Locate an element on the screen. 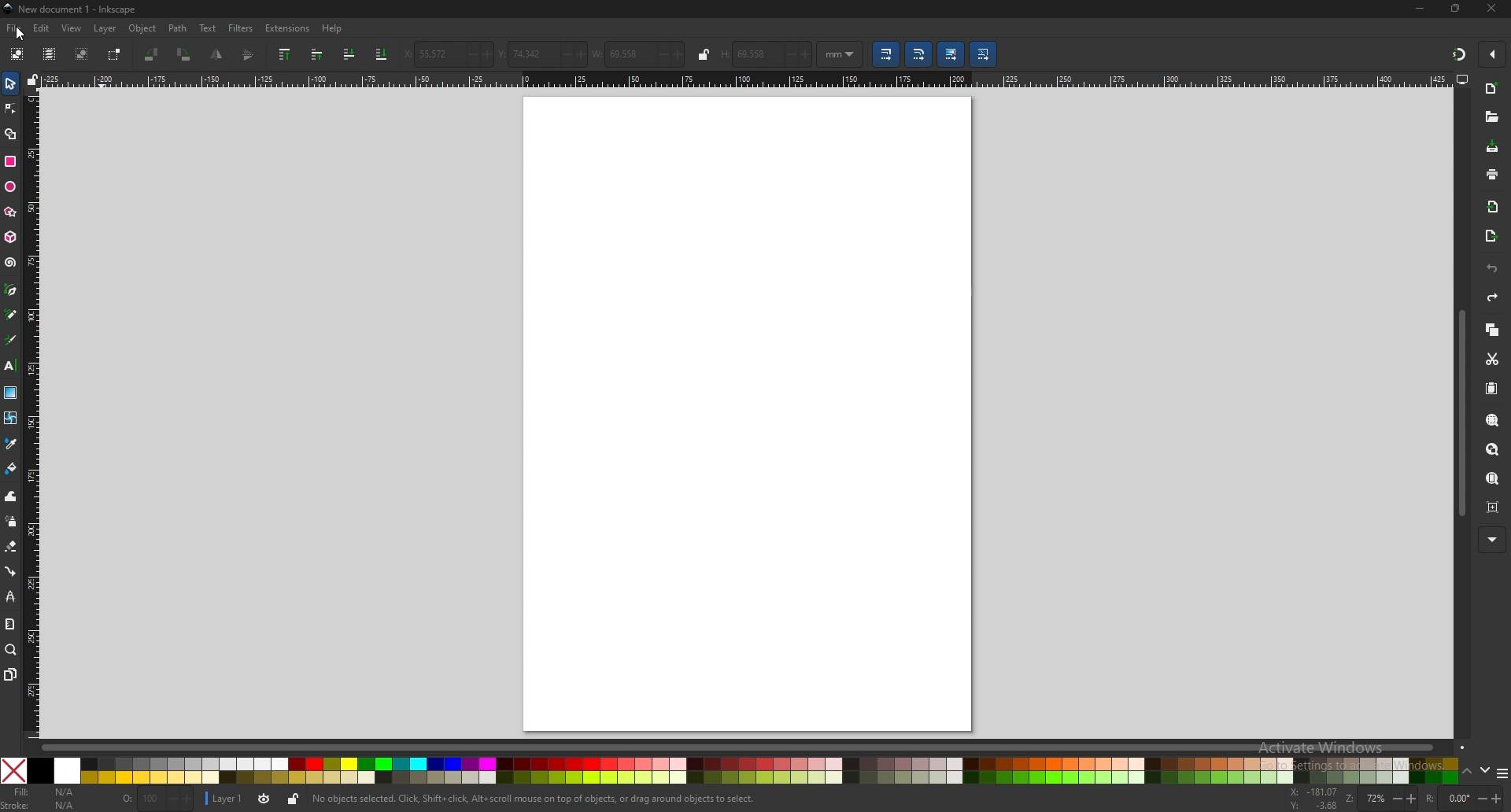 This screenshot has width=1511, height=812. zoom page is located at coordinates (1493, 478).